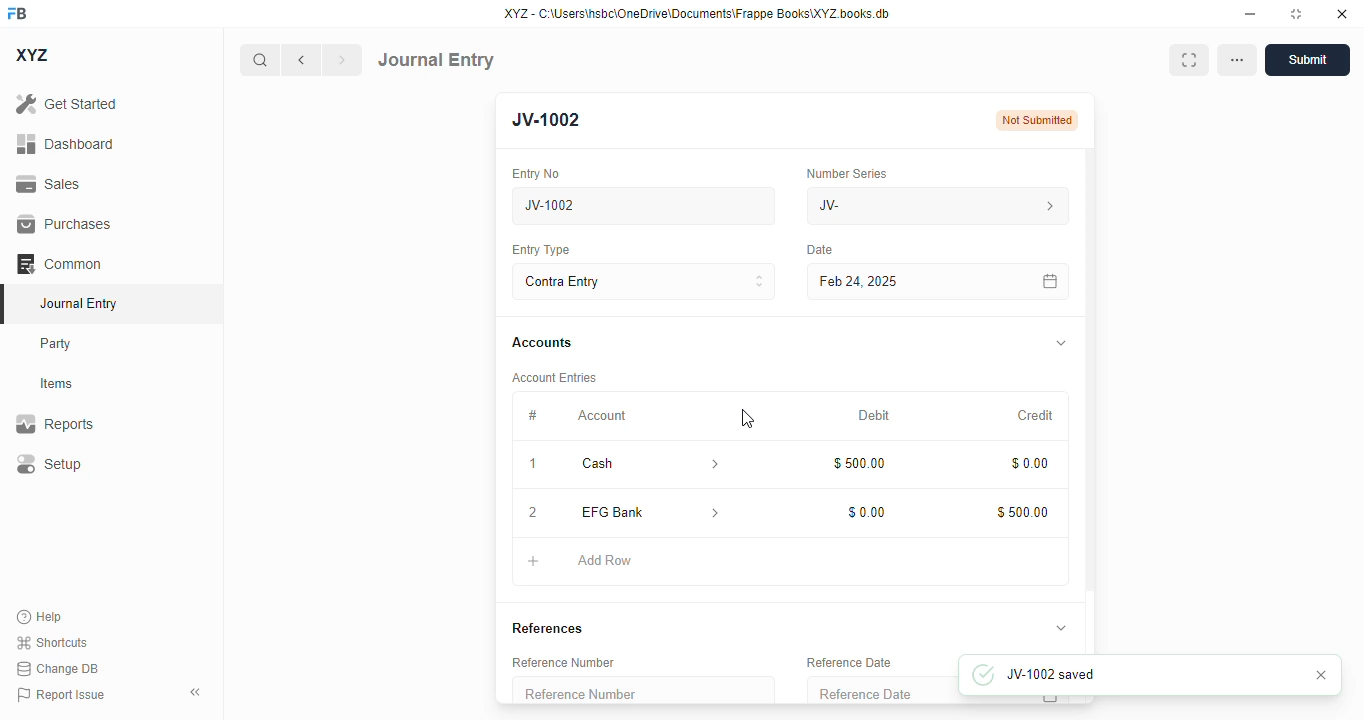 Image resolution: width=1364 pixels, height=720 pixels. Describe the element at coordinates (643, 280) in the screenshot. I see `contra entry ` at that location.